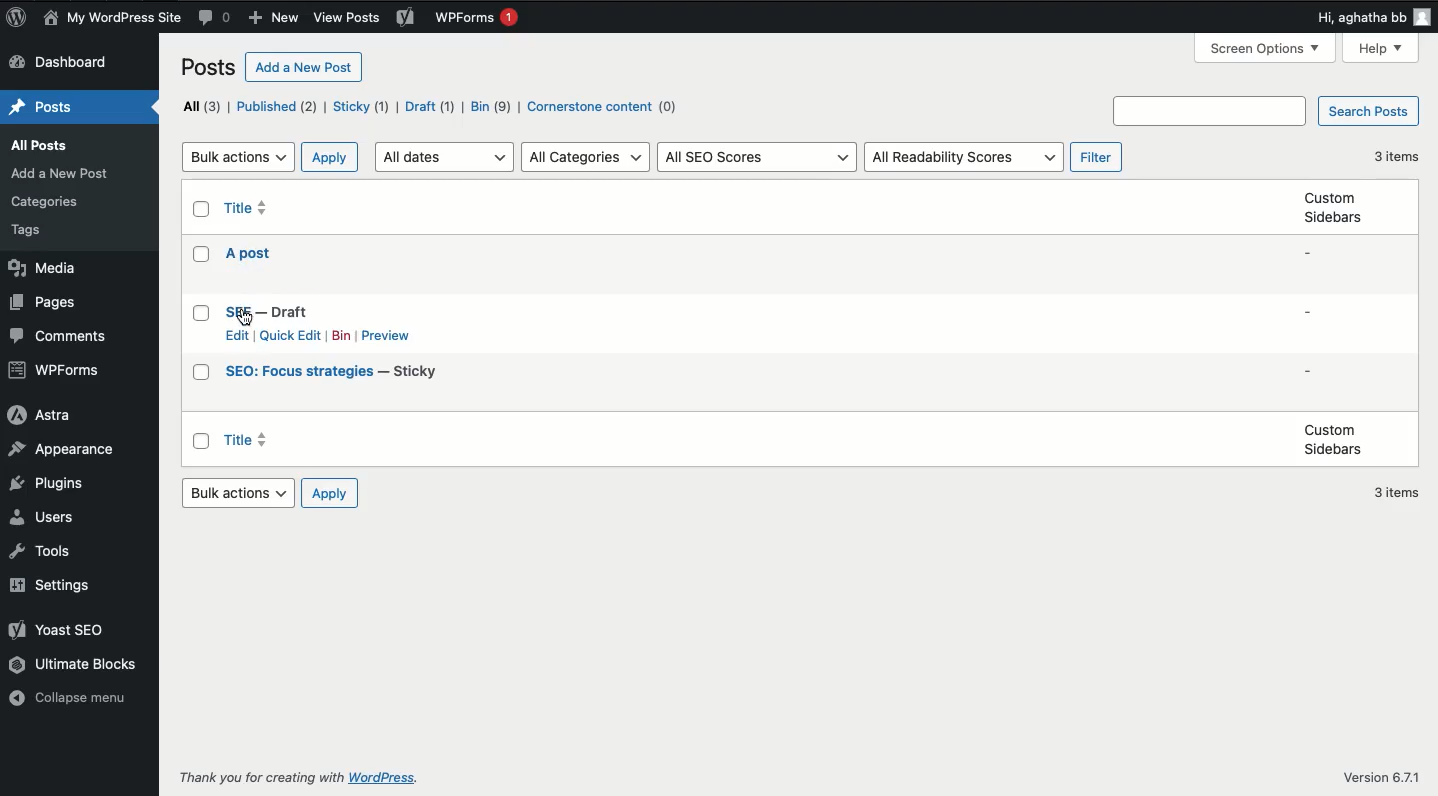 The height and width of the screenshot is (796, 1438). I want to click on Astra, so click(39, 415).